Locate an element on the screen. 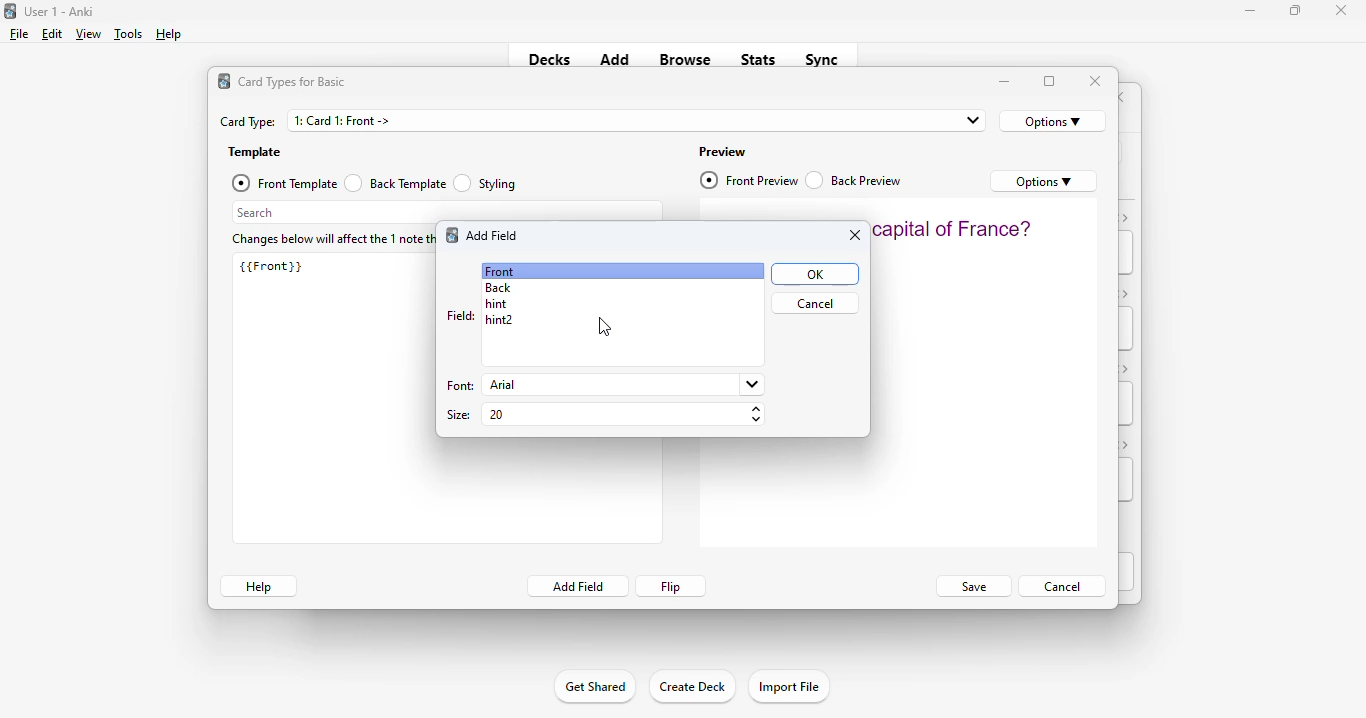  changes below will affect the 1 note that uses this card type is located at coordinates (330, 240).